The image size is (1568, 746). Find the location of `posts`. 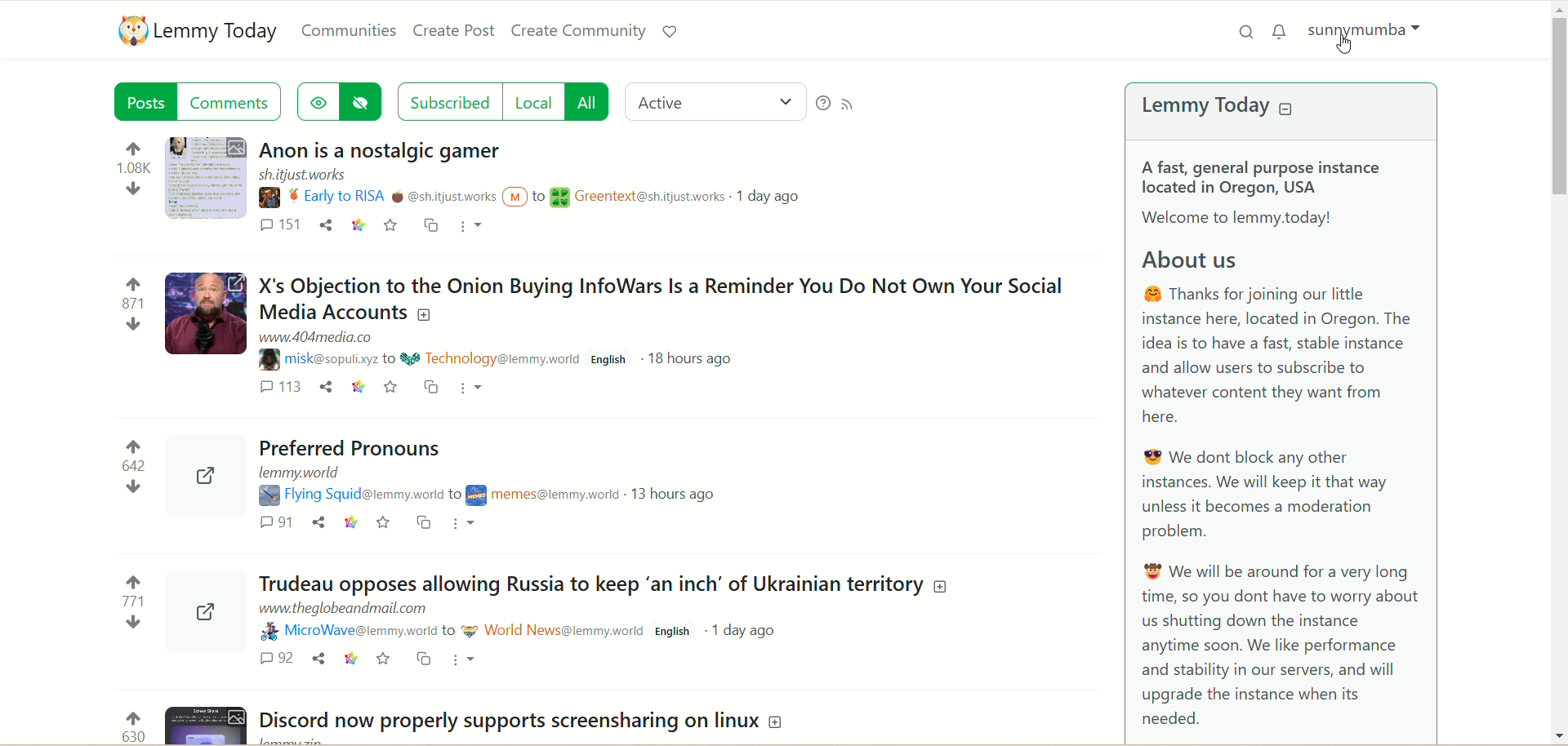

posts is located at coordinates (143, 101).